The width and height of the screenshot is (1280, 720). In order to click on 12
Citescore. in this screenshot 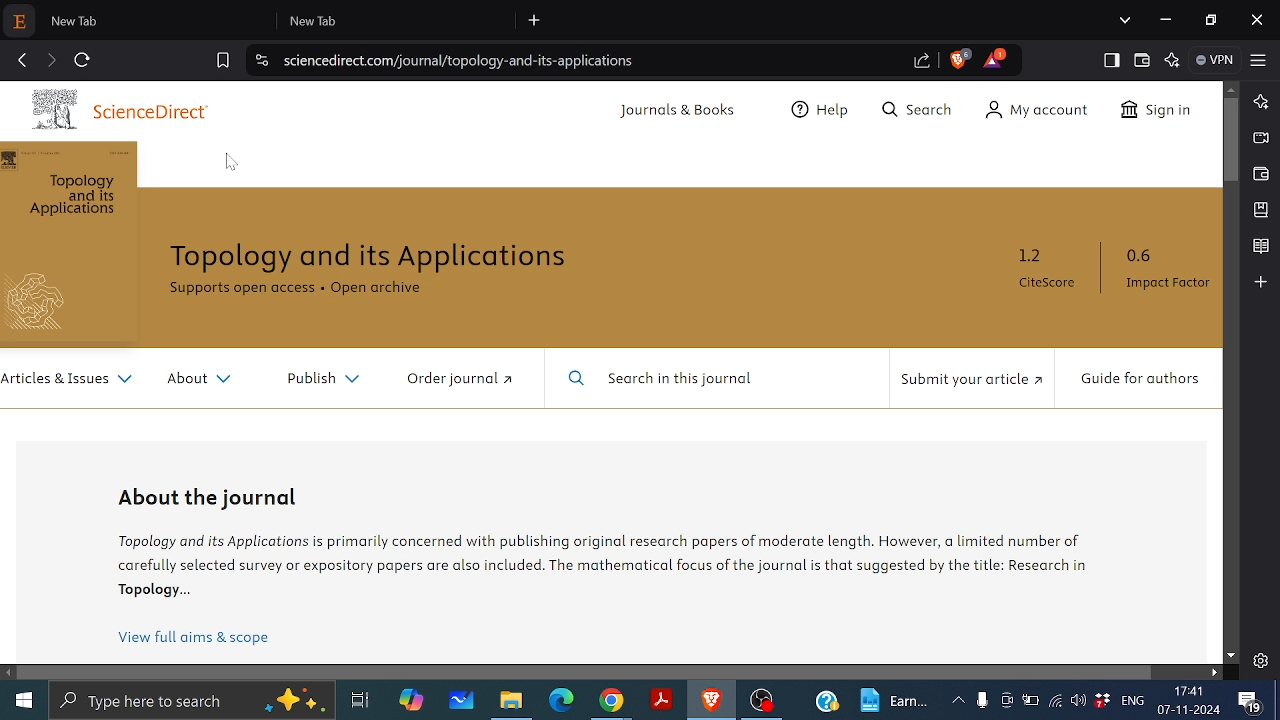, I will do `click(1046, 269)`.